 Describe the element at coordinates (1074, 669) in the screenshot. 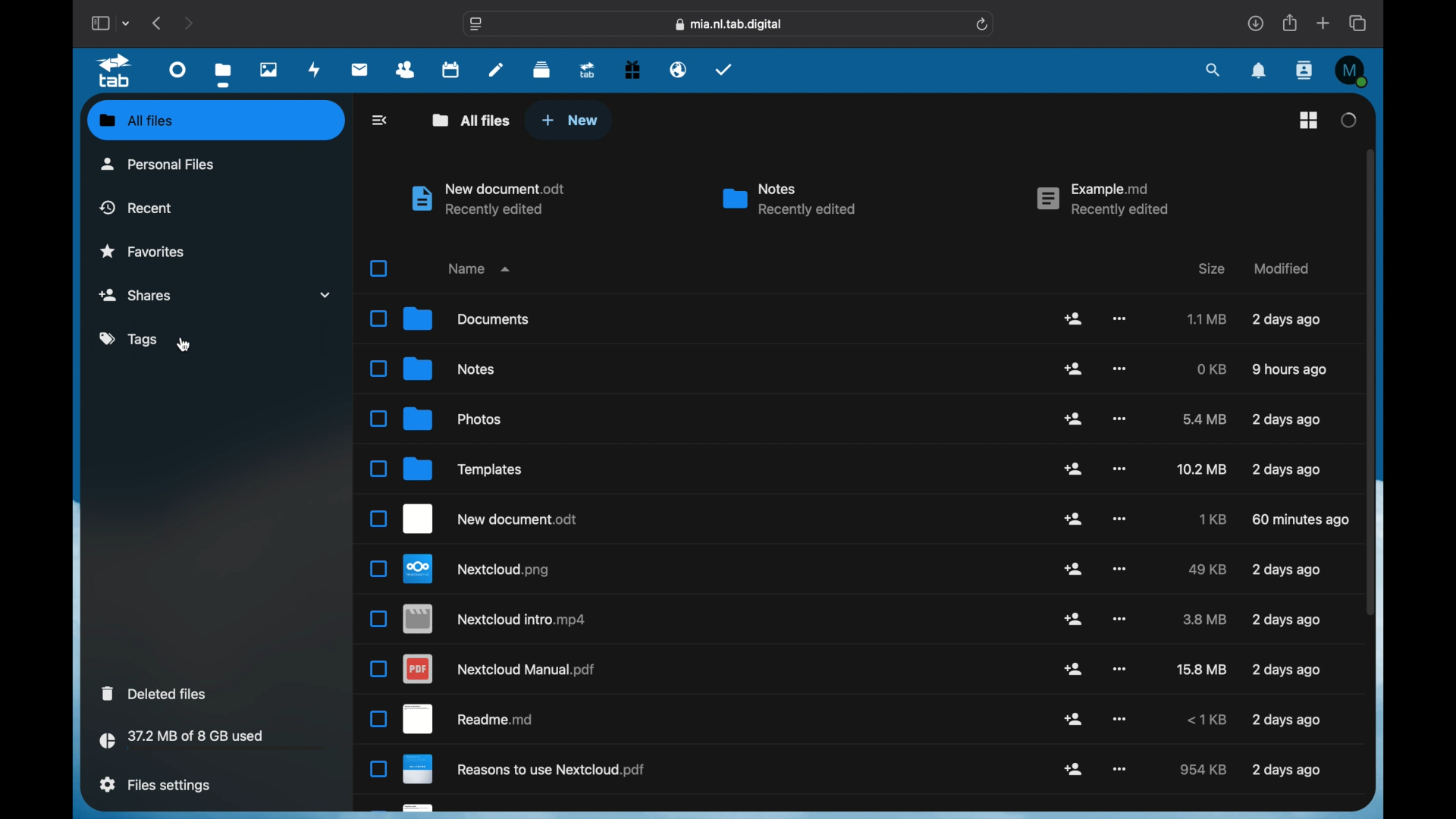

I see `share` at that location.